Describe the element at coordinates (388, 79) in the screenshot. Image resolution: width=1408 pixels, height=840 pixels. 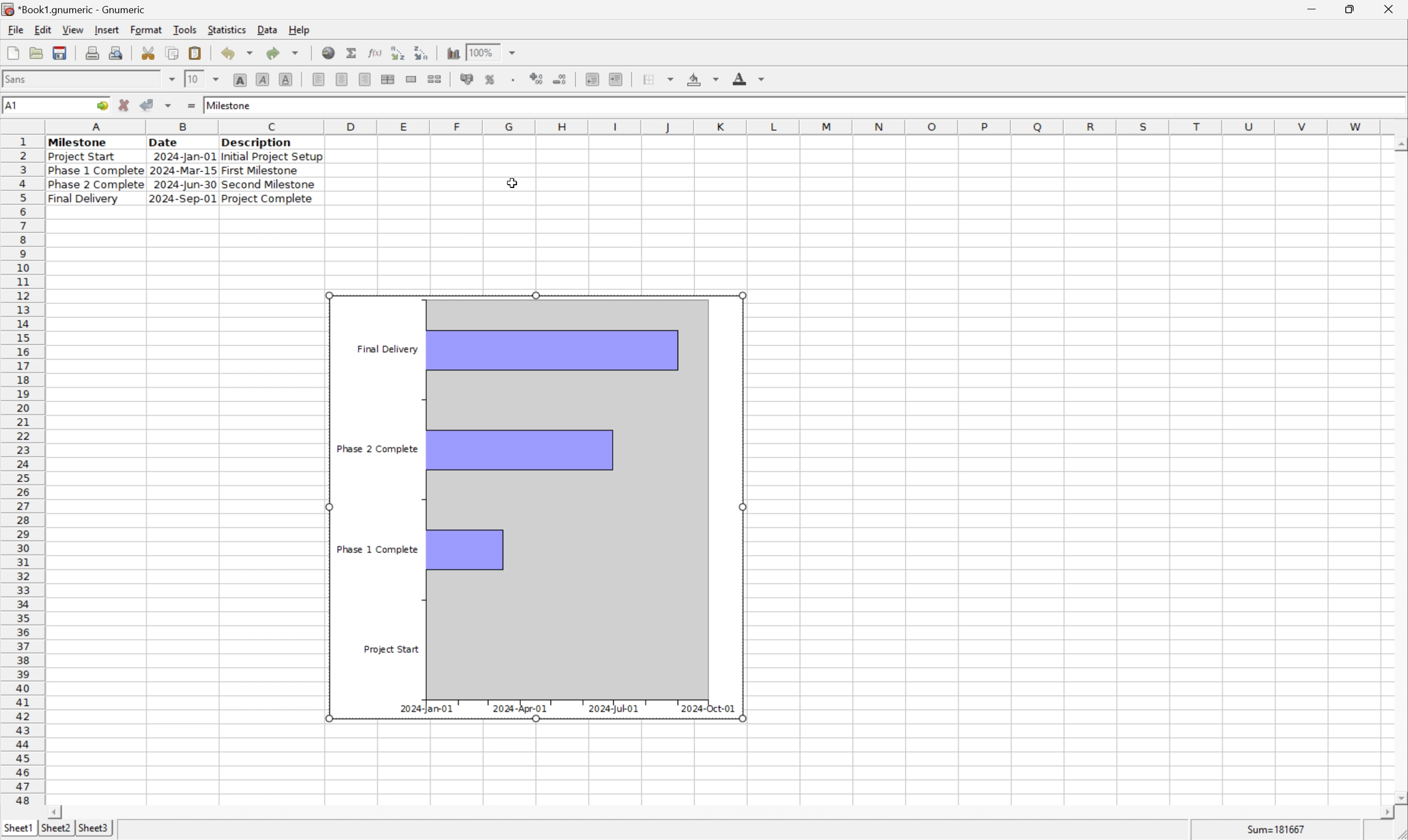
I see `center horizontally across selection` at that location.